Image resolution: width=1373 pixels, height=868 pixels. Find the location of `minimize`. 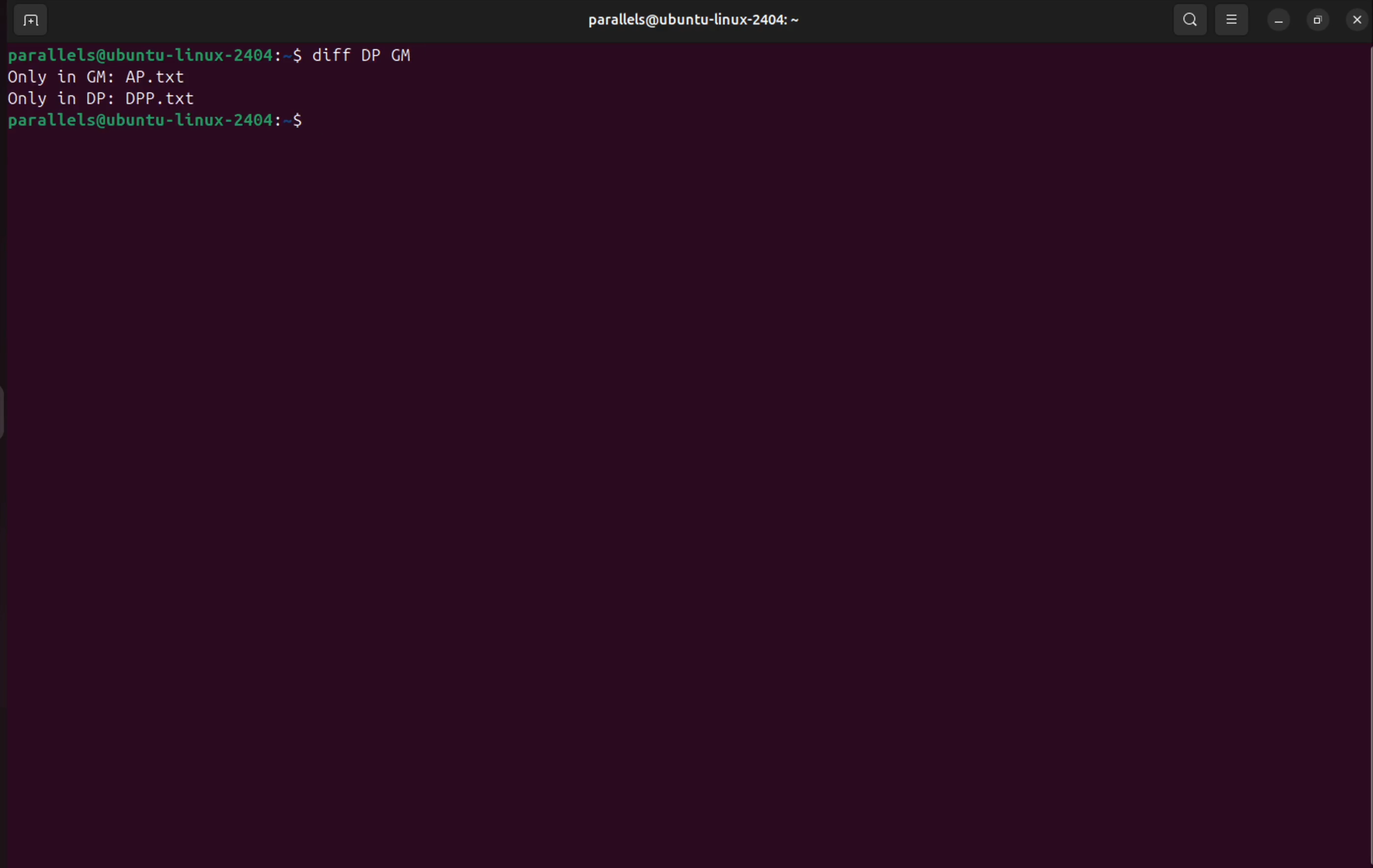

minimize is located at coordinates (1279, 22).